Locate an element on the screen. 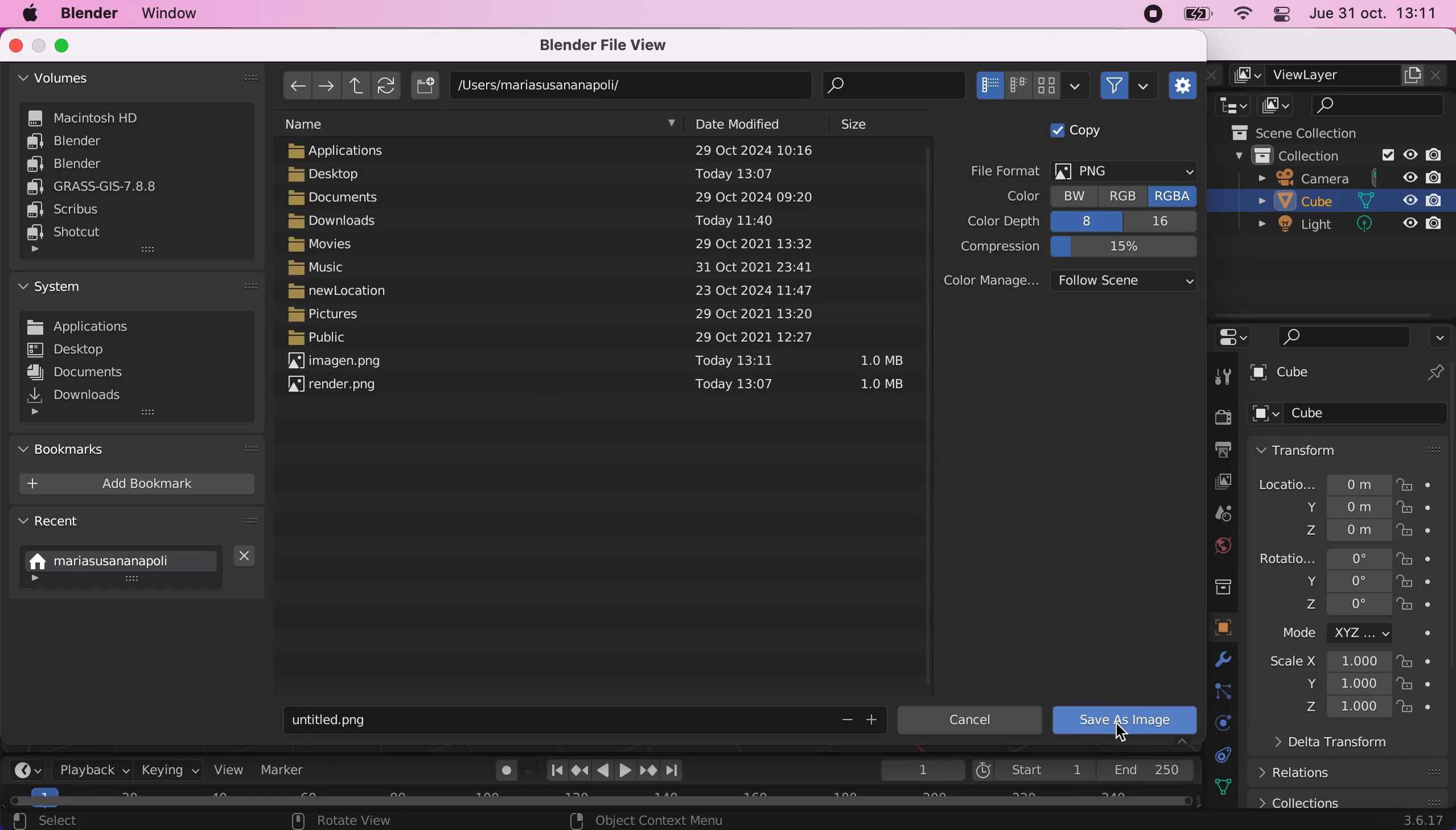 The image size is (1456, 830). tool is located at coordinates (1223, 377).